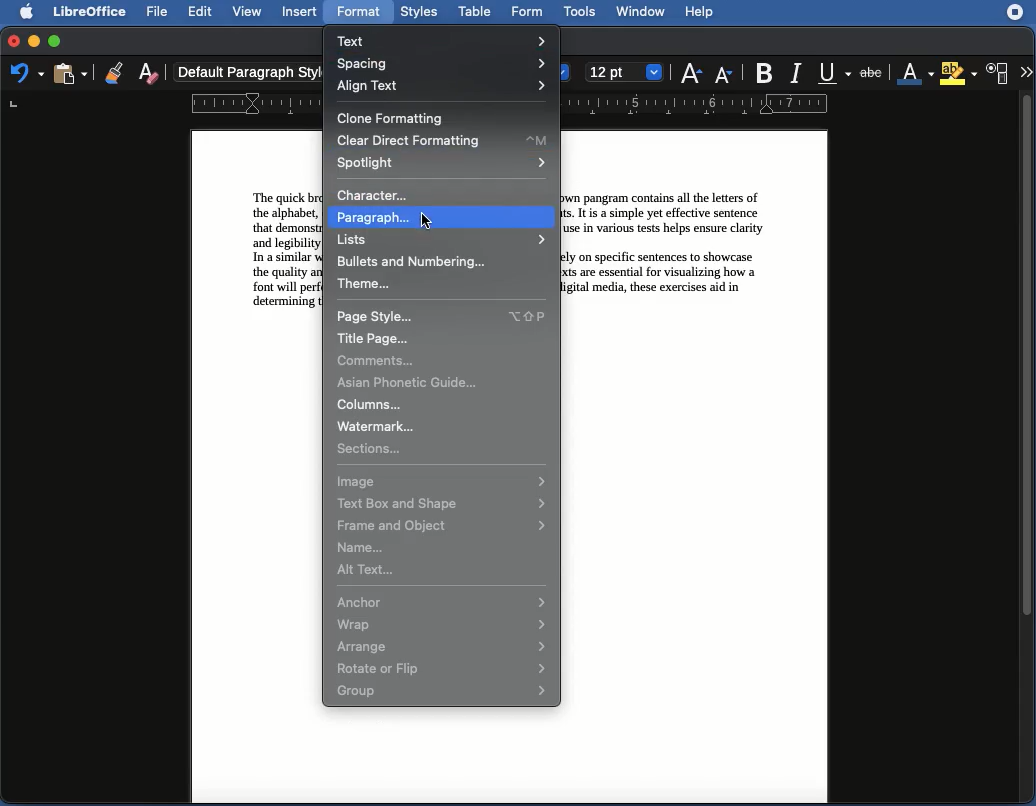 This screenshot has height=806, width=1036. What do you see at coordinates (1017, 20) in the screenshot?
I see `extensions` at bounding box center [1017, 20].